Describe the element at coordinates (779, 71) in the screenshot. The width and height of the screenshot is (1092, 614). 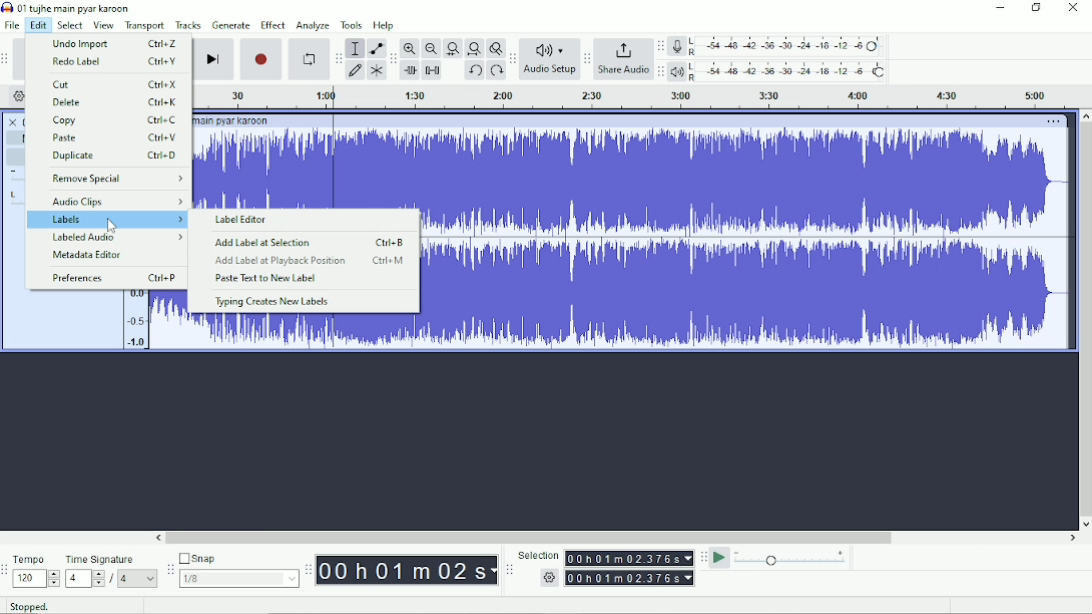
I see `Playback meter` at that location.